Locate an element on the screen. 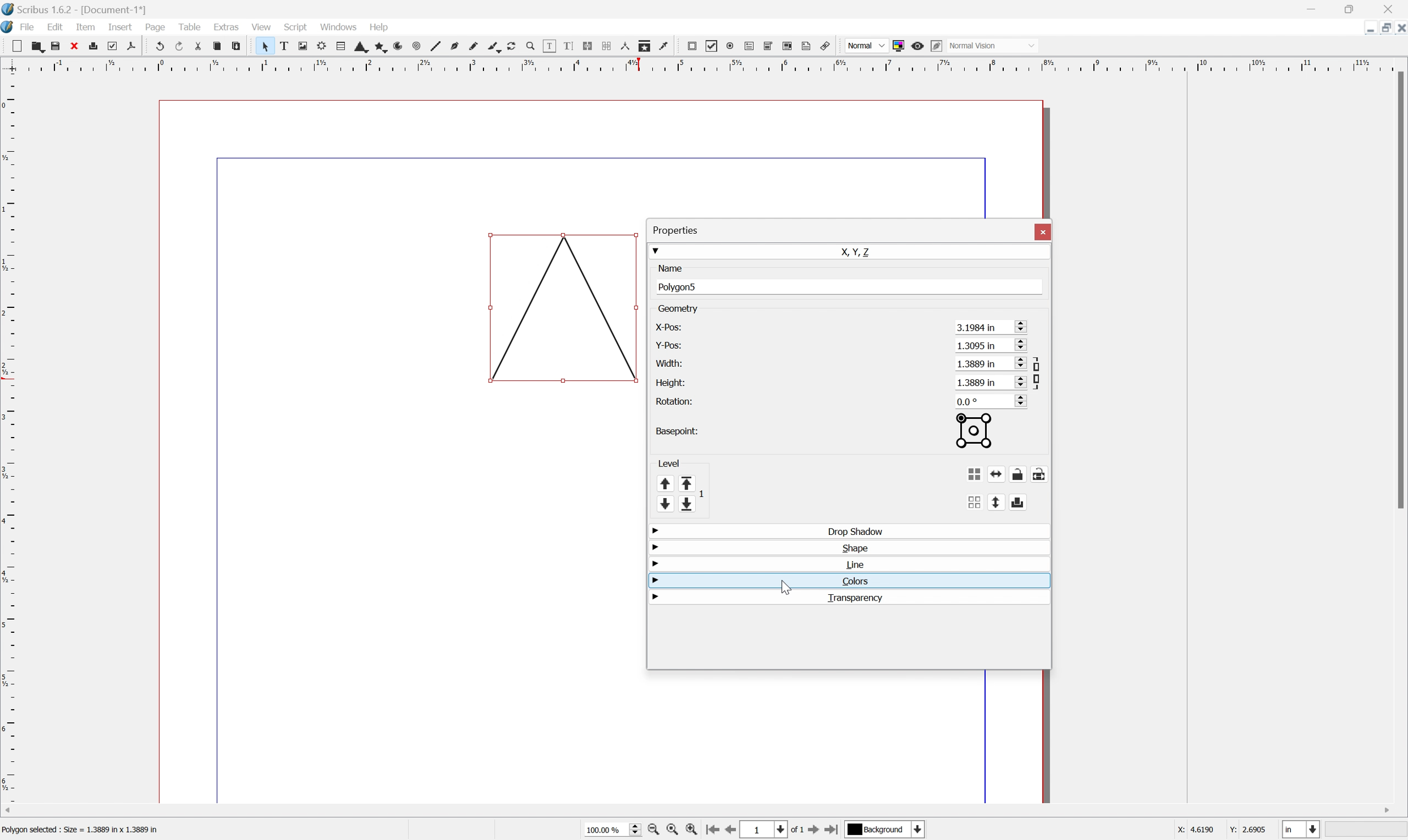 This screenshot has height=840, width=1408. Scale is located at coordinates (9, 439).